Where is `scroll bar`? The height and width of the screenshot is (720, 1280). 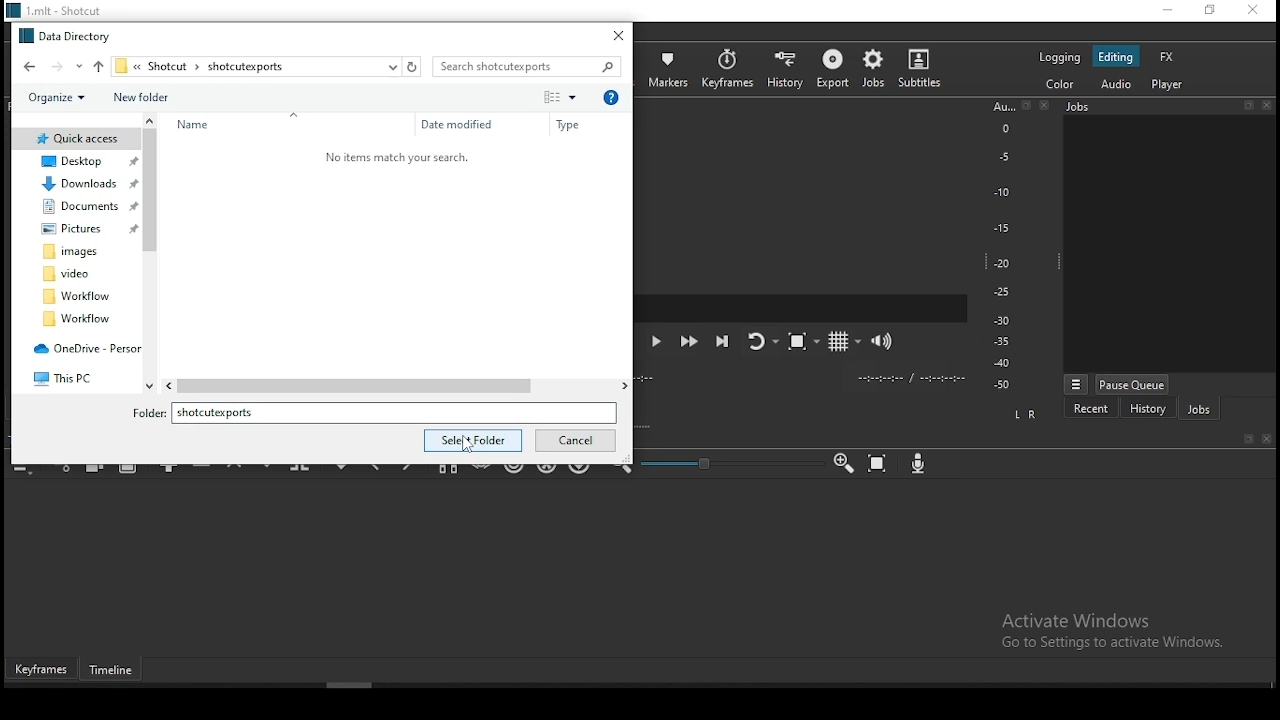 scroll bar is located at coordinates (394, 385).